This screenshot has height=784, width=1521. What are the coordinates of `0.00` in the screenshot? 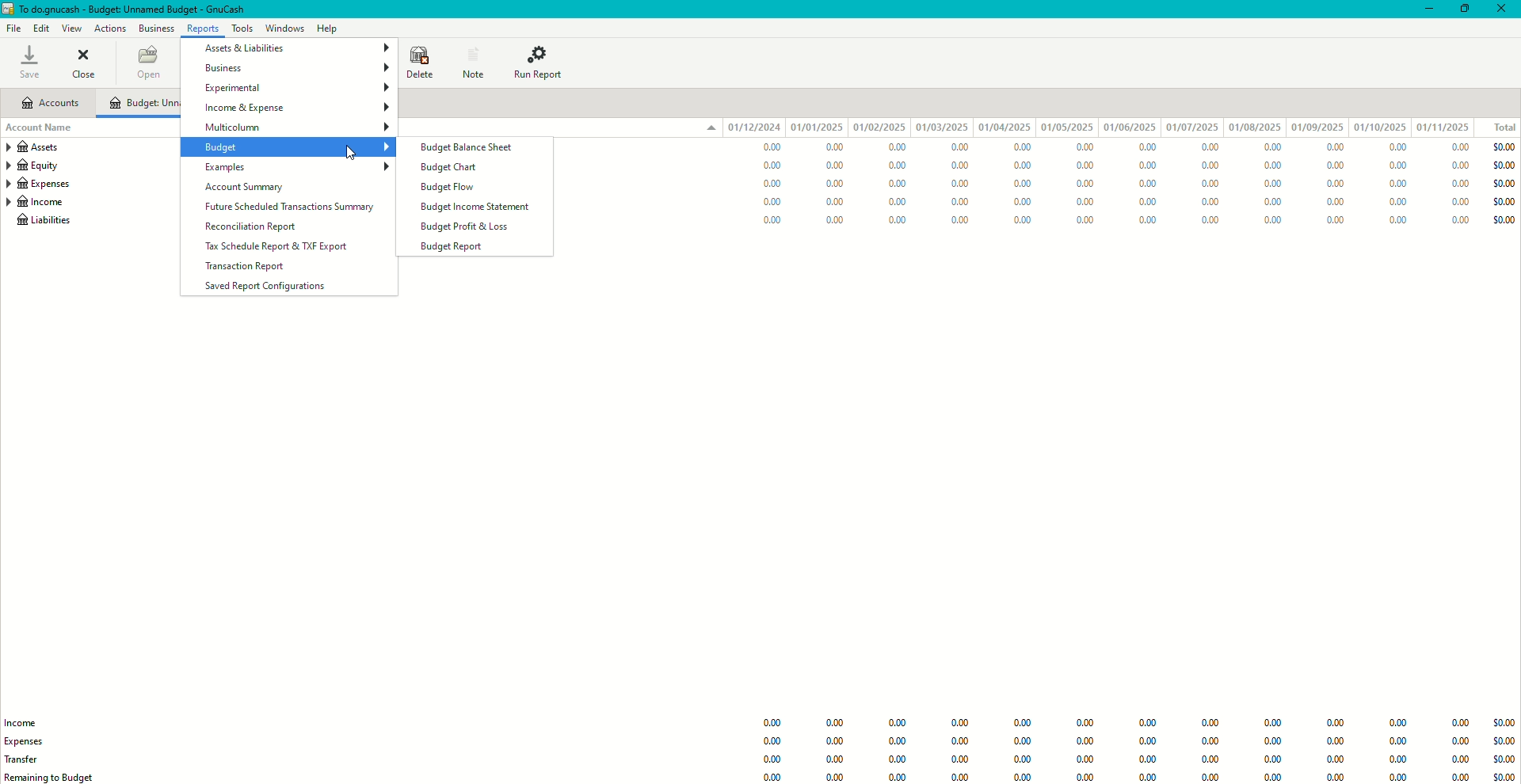 It's located at (1332, 762).